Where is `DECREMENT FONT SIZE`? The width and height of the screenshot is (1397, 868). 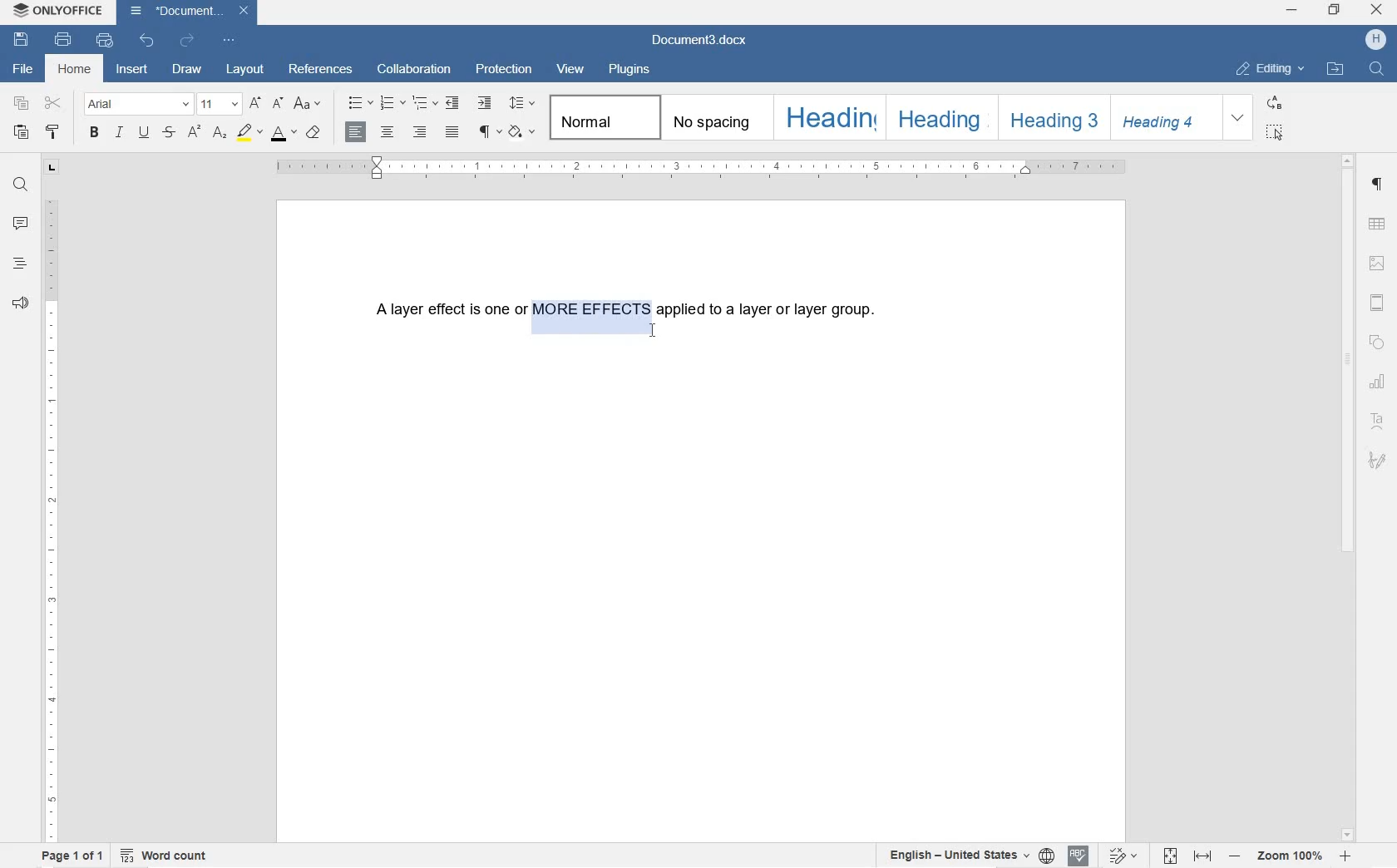 DECREMENT FONT SIZE is located at coordinates (255, 104).